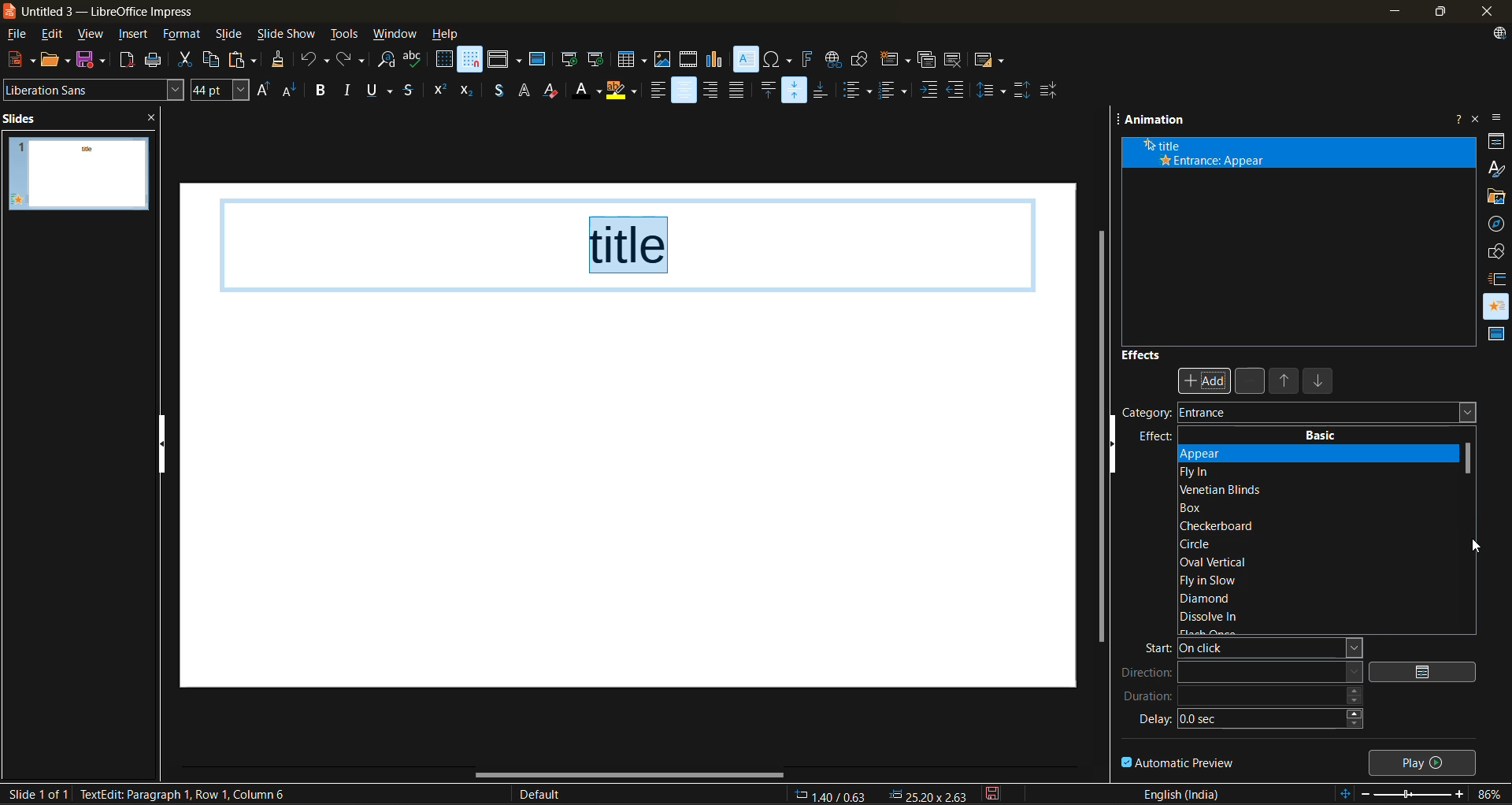  Describe the element at coordinates (632, 244) in the screenshot. I see `title` at that location.